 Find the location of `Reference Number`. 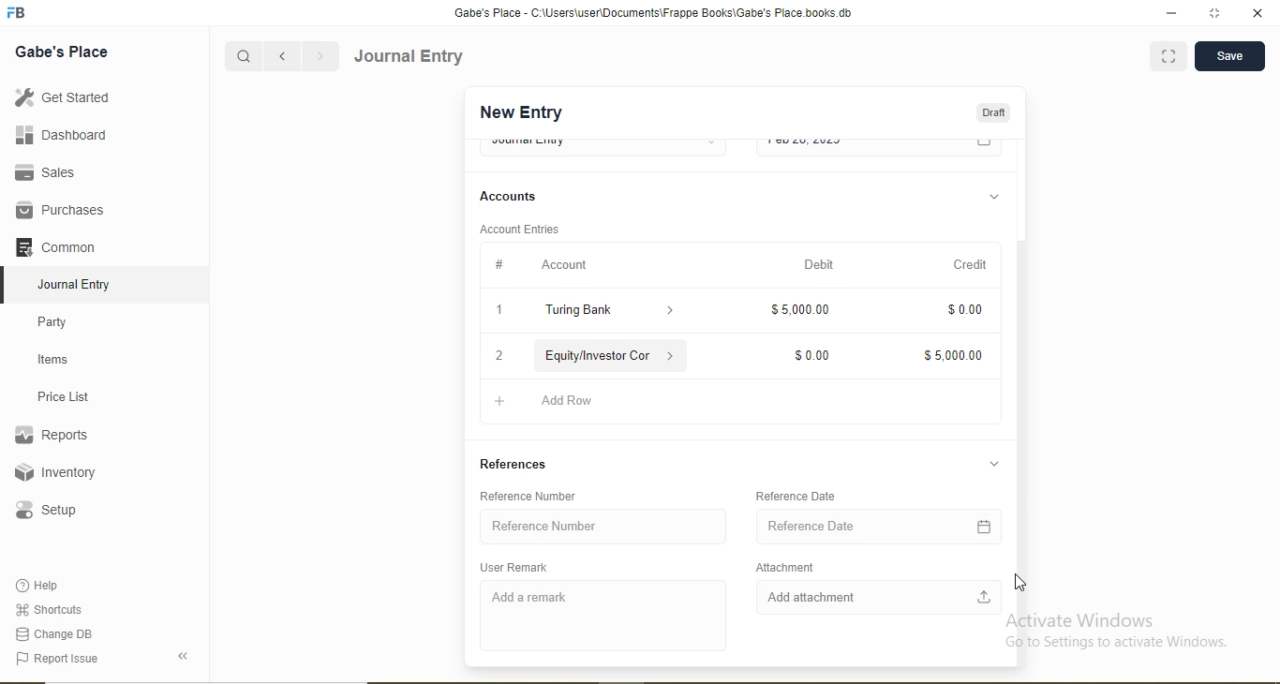

Reference Number is located at coordinates (545, 526).